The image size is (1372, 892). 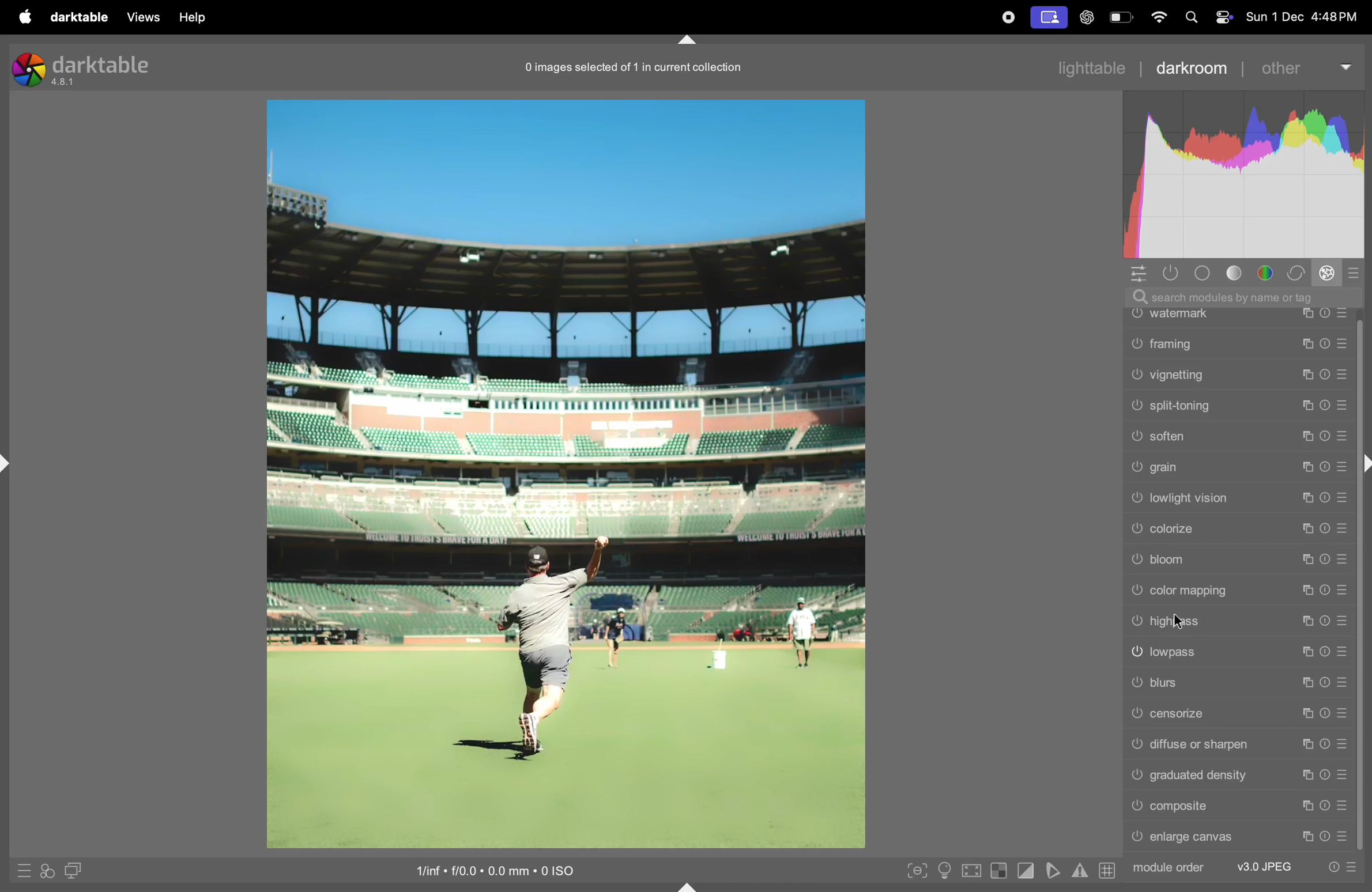 I want to click on toggle iso, so click(x=943, y=871).